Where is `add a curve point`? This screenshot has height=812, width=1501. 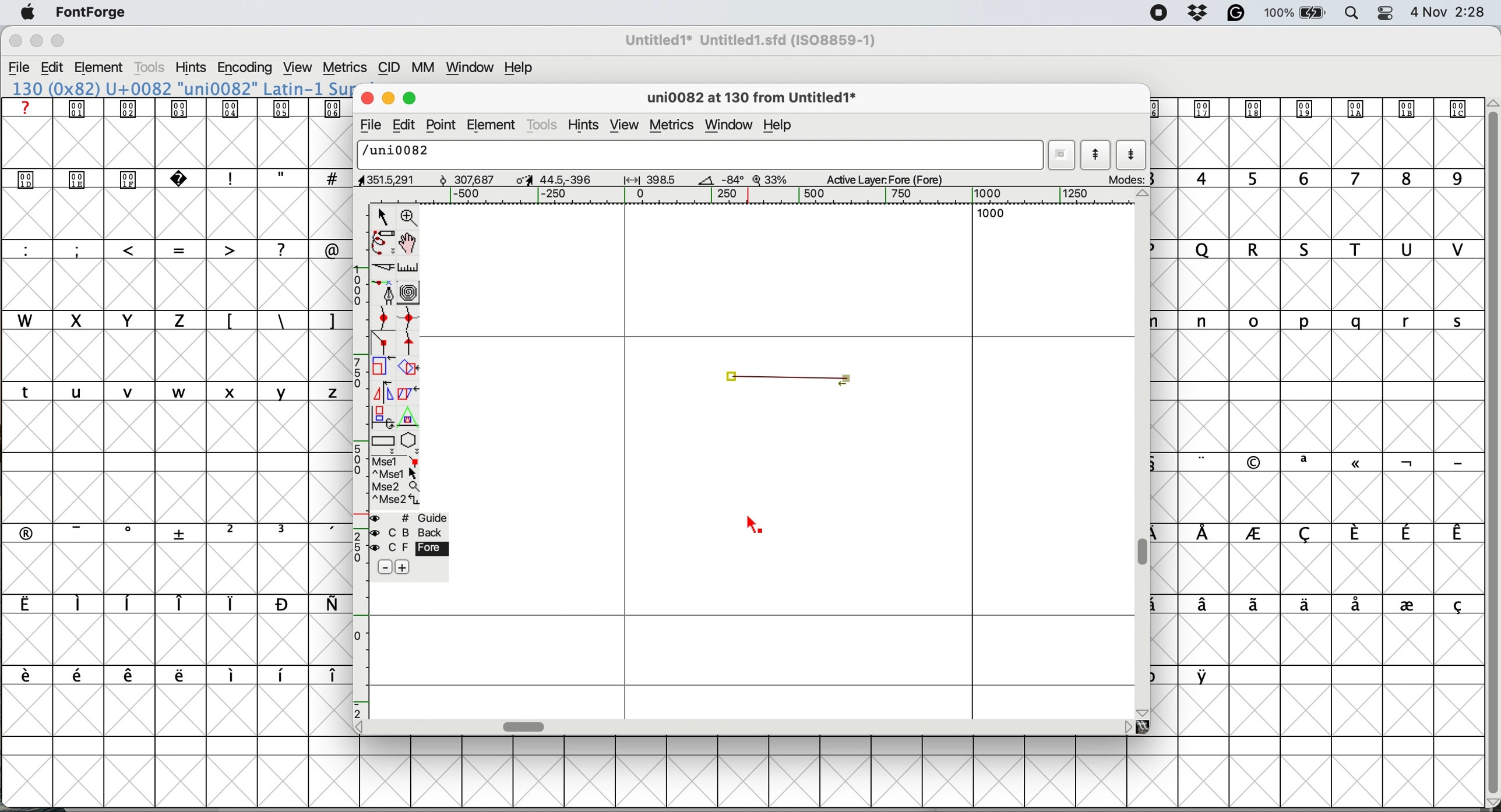
add a curve point is located at coordinates (383, 317).